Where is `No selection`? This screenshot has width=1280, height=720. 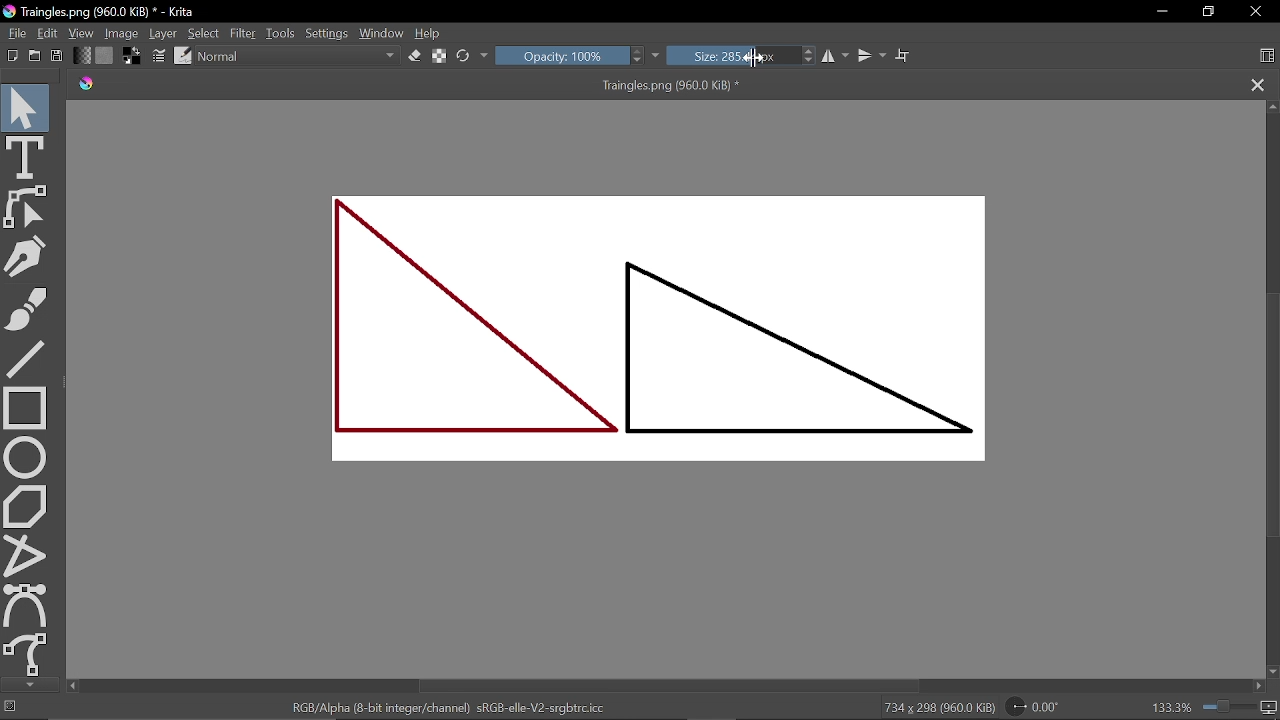 No selection is located at coordinates (12, 708).